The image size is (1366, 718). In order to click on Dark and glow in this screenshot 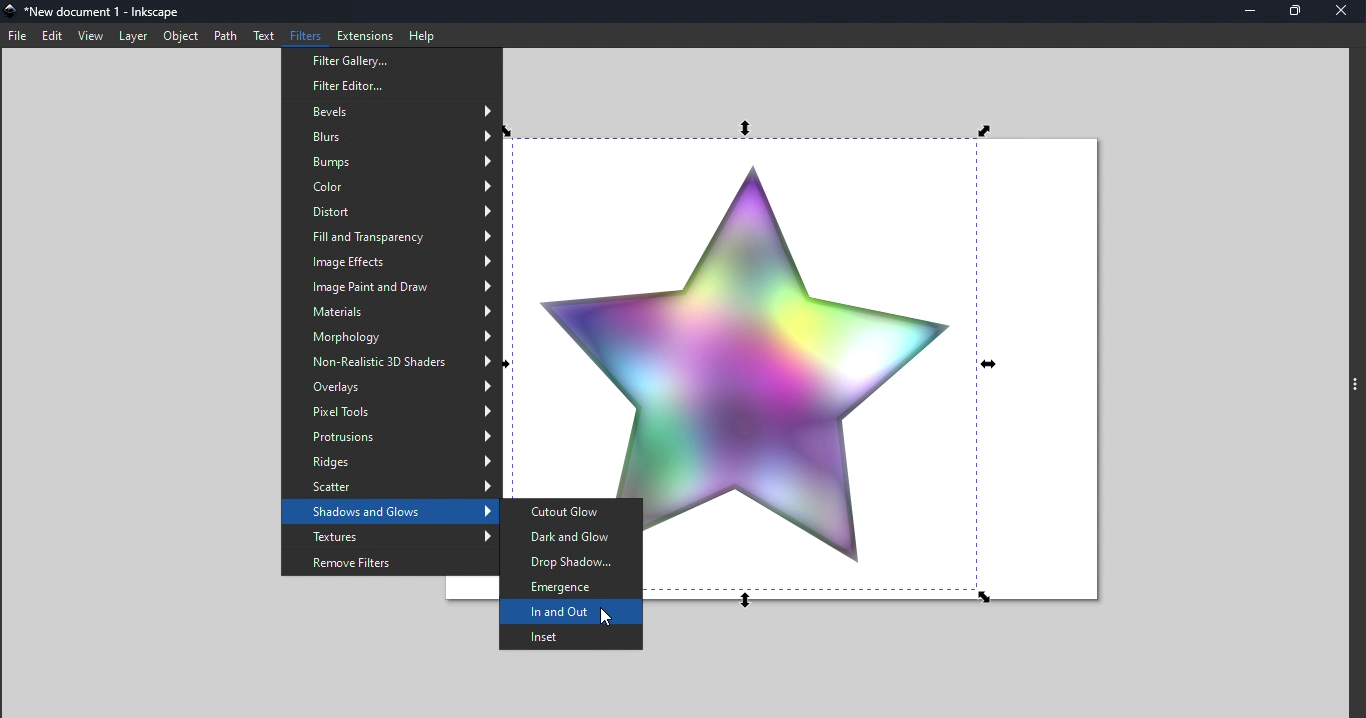, I will do `click(571, 534)`.